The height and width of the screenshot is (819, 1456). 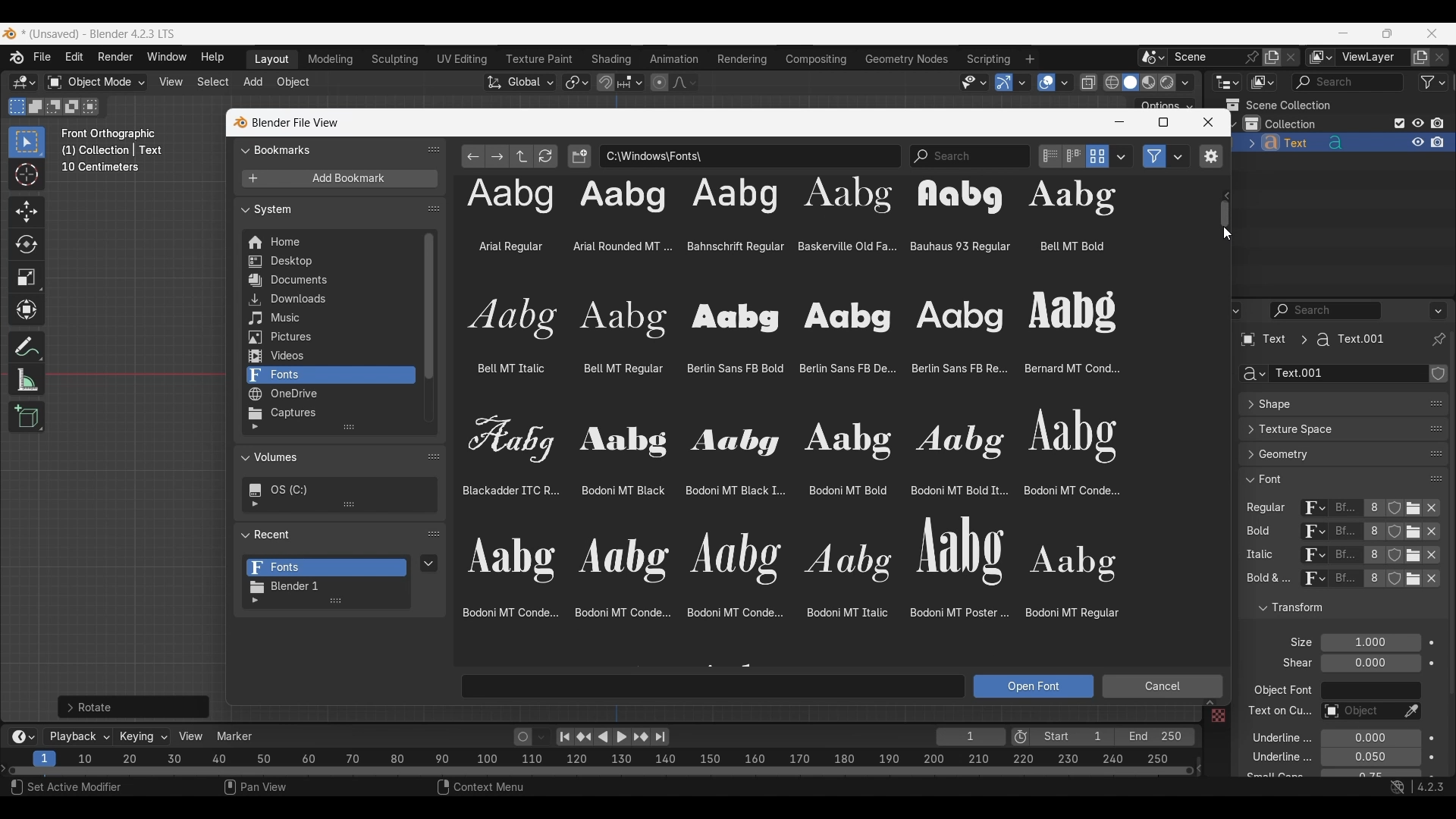 What do you see at coordinates (1433, 82) in the screenshot?
I see `Filter` at bounding box center [1433, 82].